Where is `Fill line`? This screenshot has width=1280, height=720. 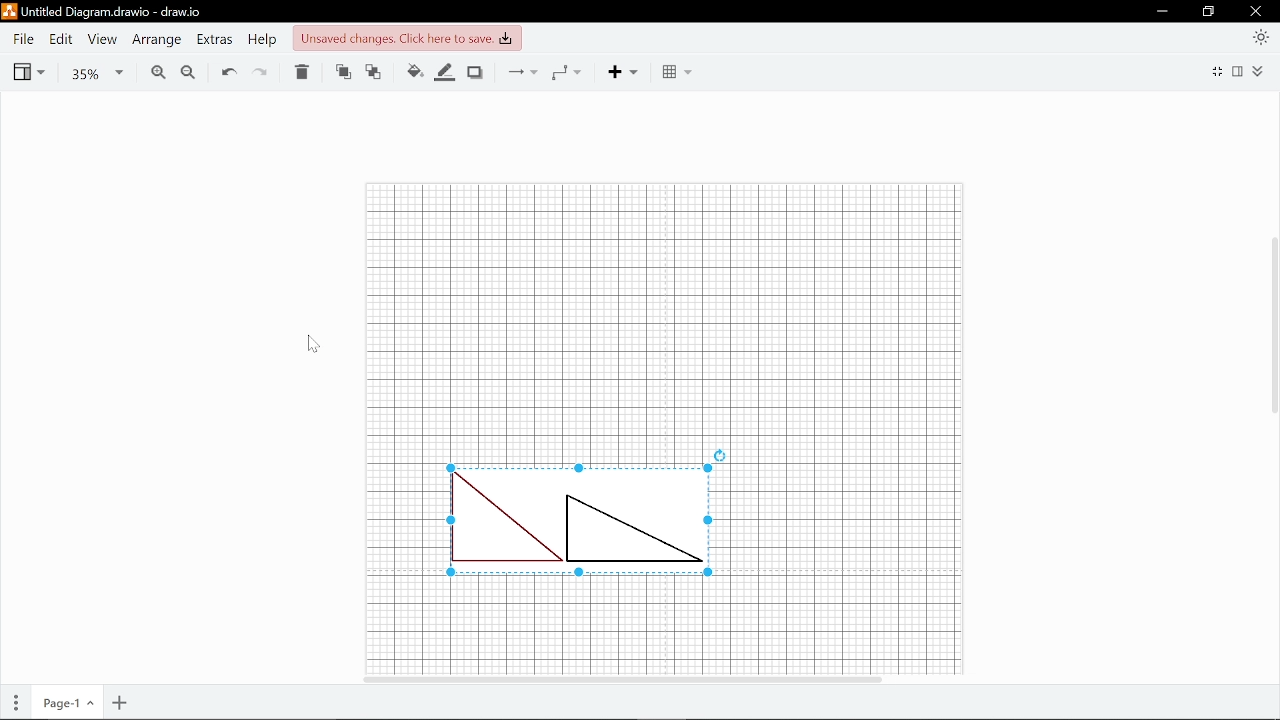
Fill line is located at coordinates (446, 73).